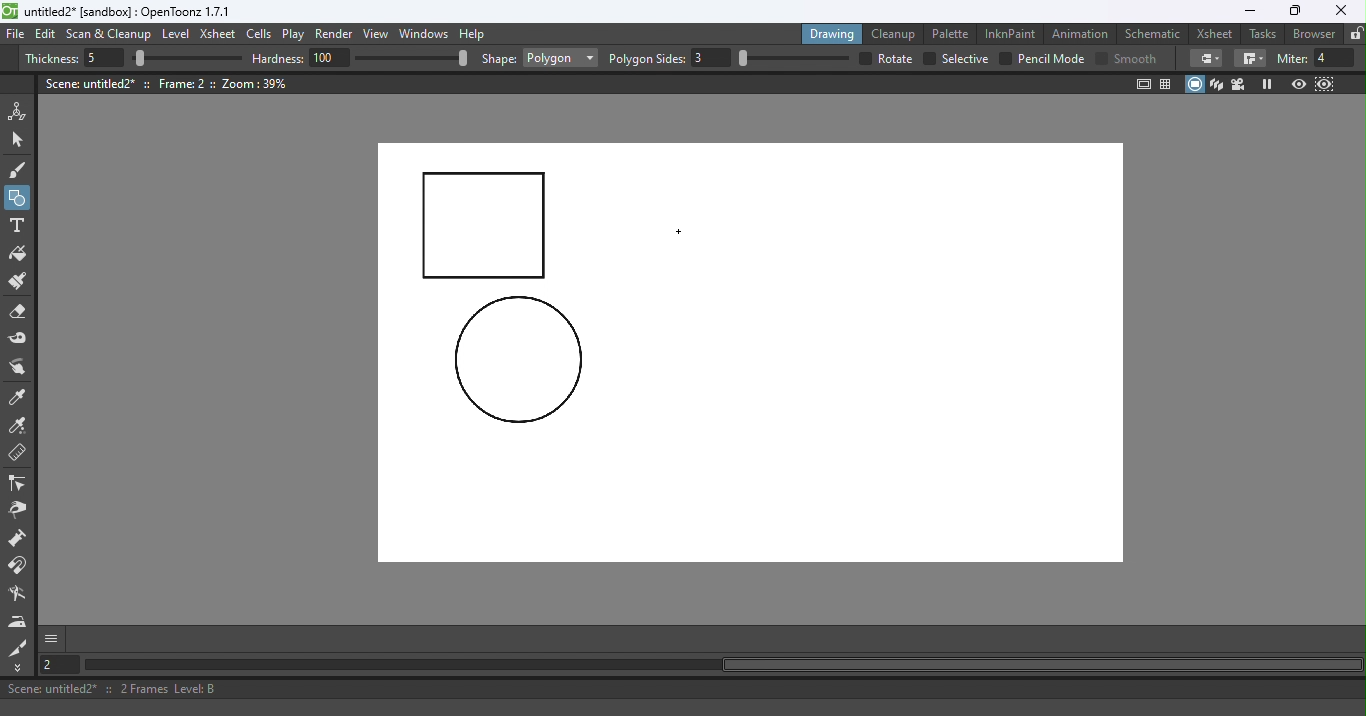  What do you see at coordinates (21, 340) in the screenshot?
I see `Tape tool` at bounding box center [21, 340].